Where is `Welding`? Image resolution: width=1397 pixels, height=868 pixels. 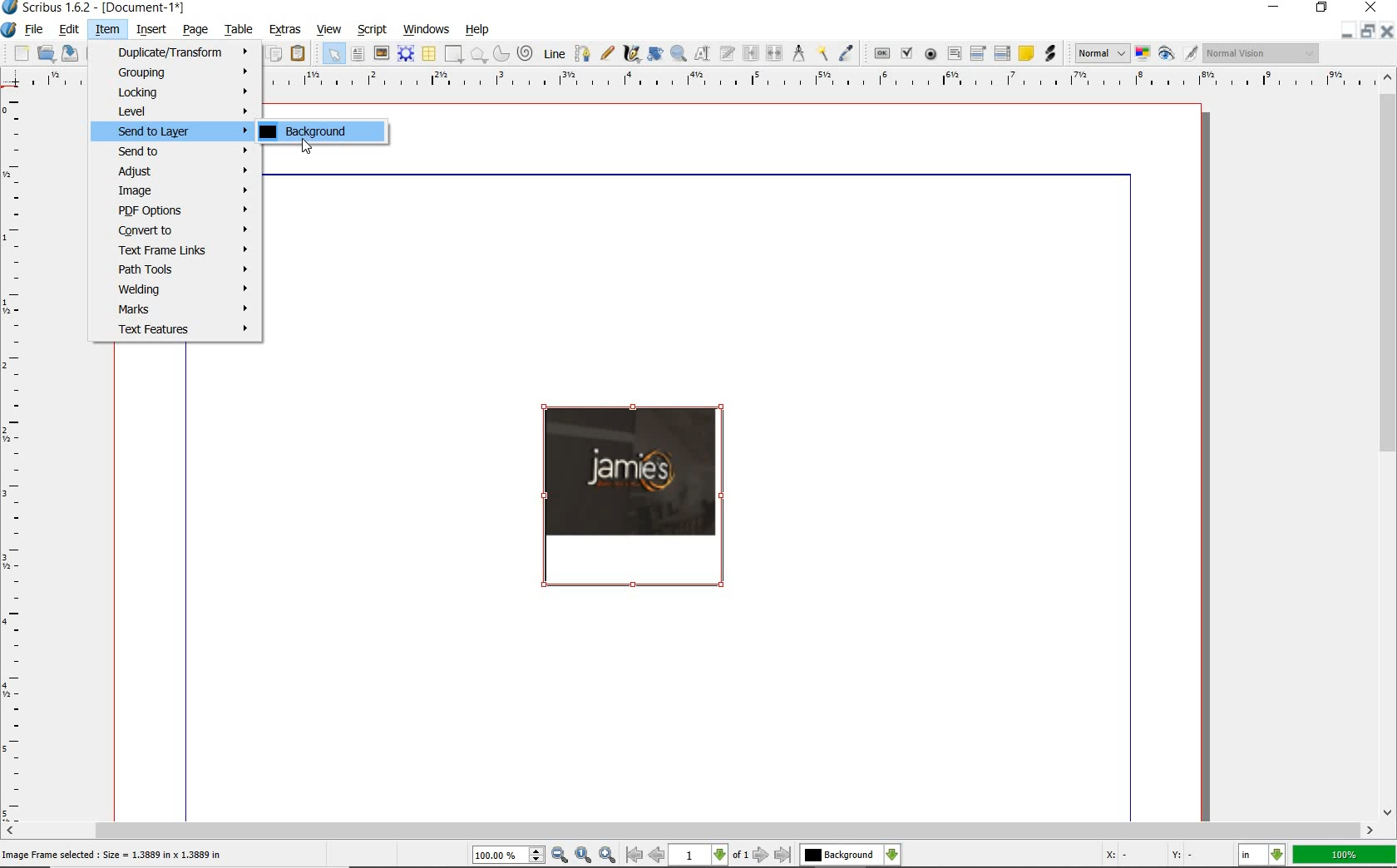
Welding is located at coordinates (178, 289).